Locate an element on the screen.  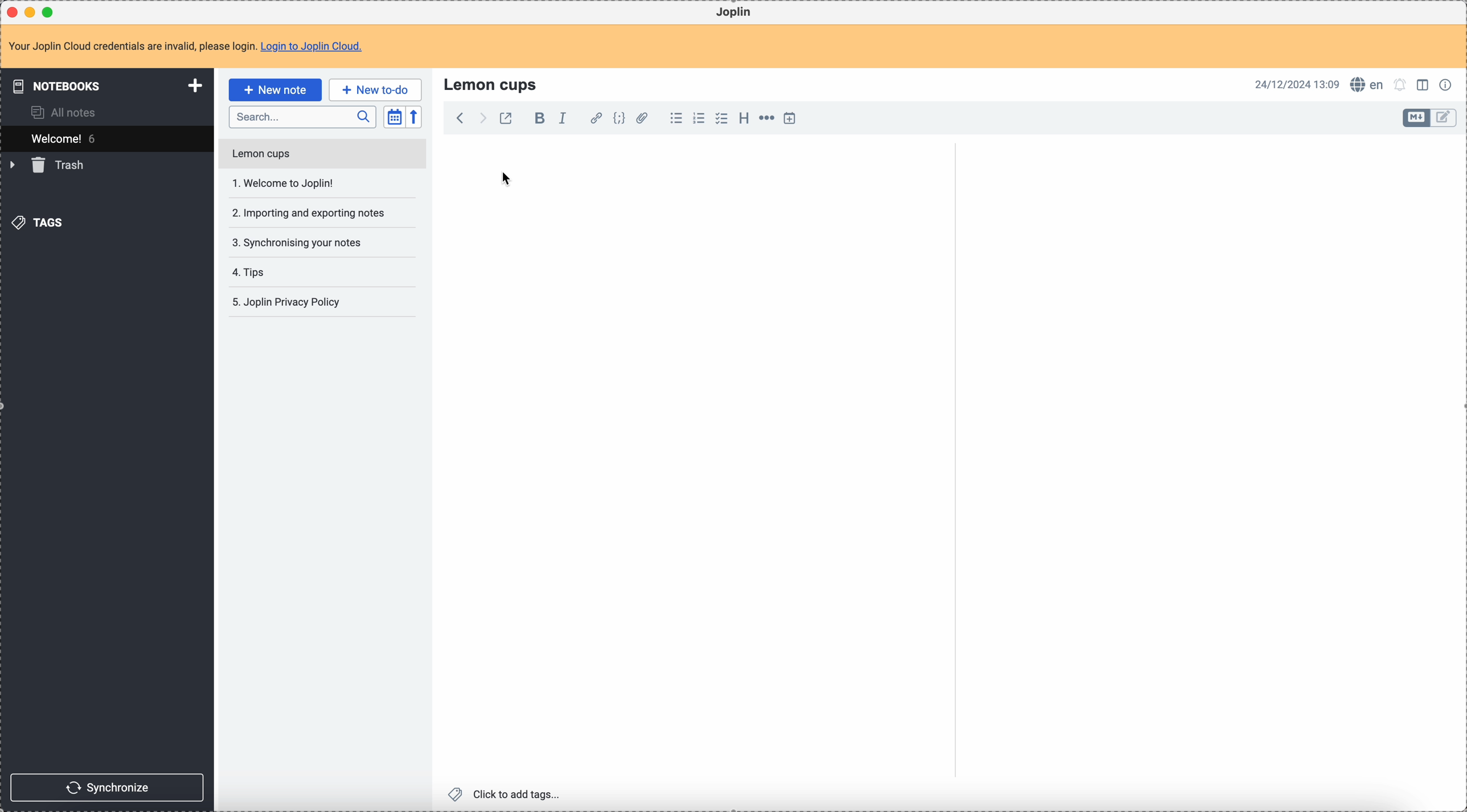
synchronize is located at coordinates (108, 788).